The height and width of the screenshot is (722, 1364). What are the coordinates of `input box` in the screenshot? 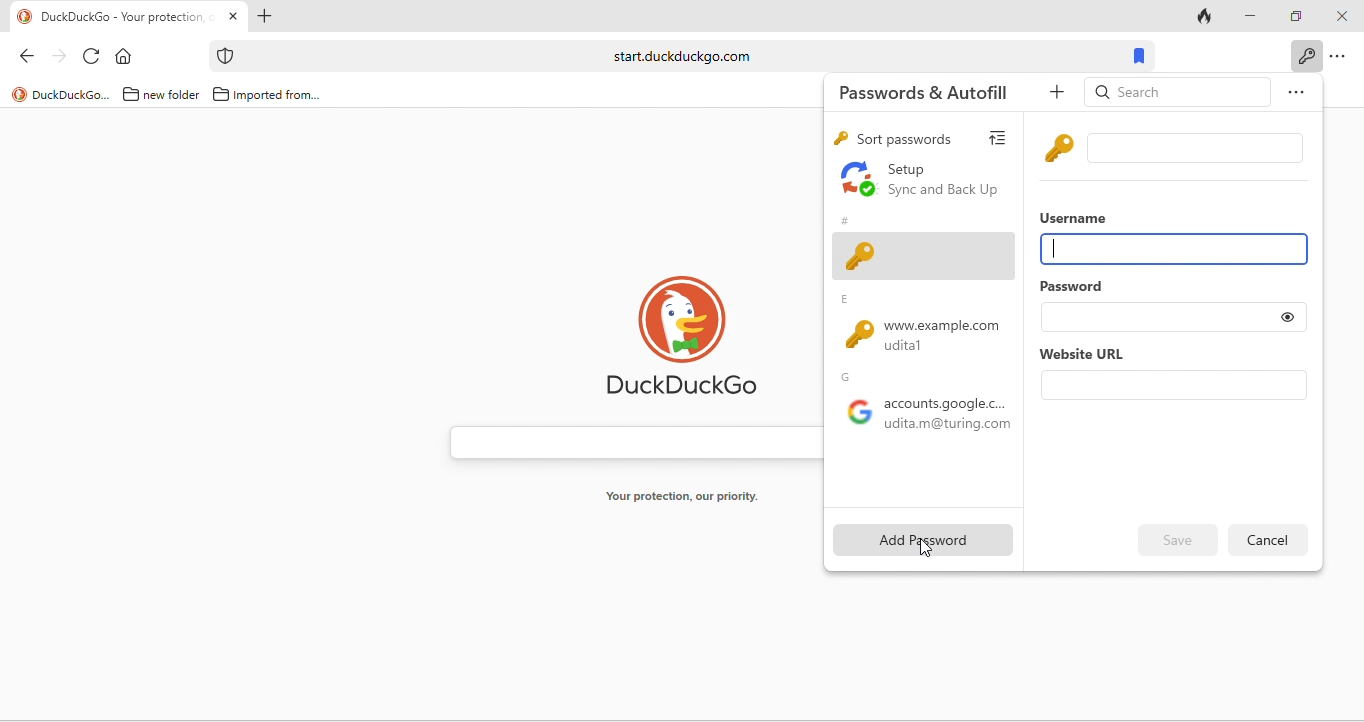 It's located at (1199, 148).